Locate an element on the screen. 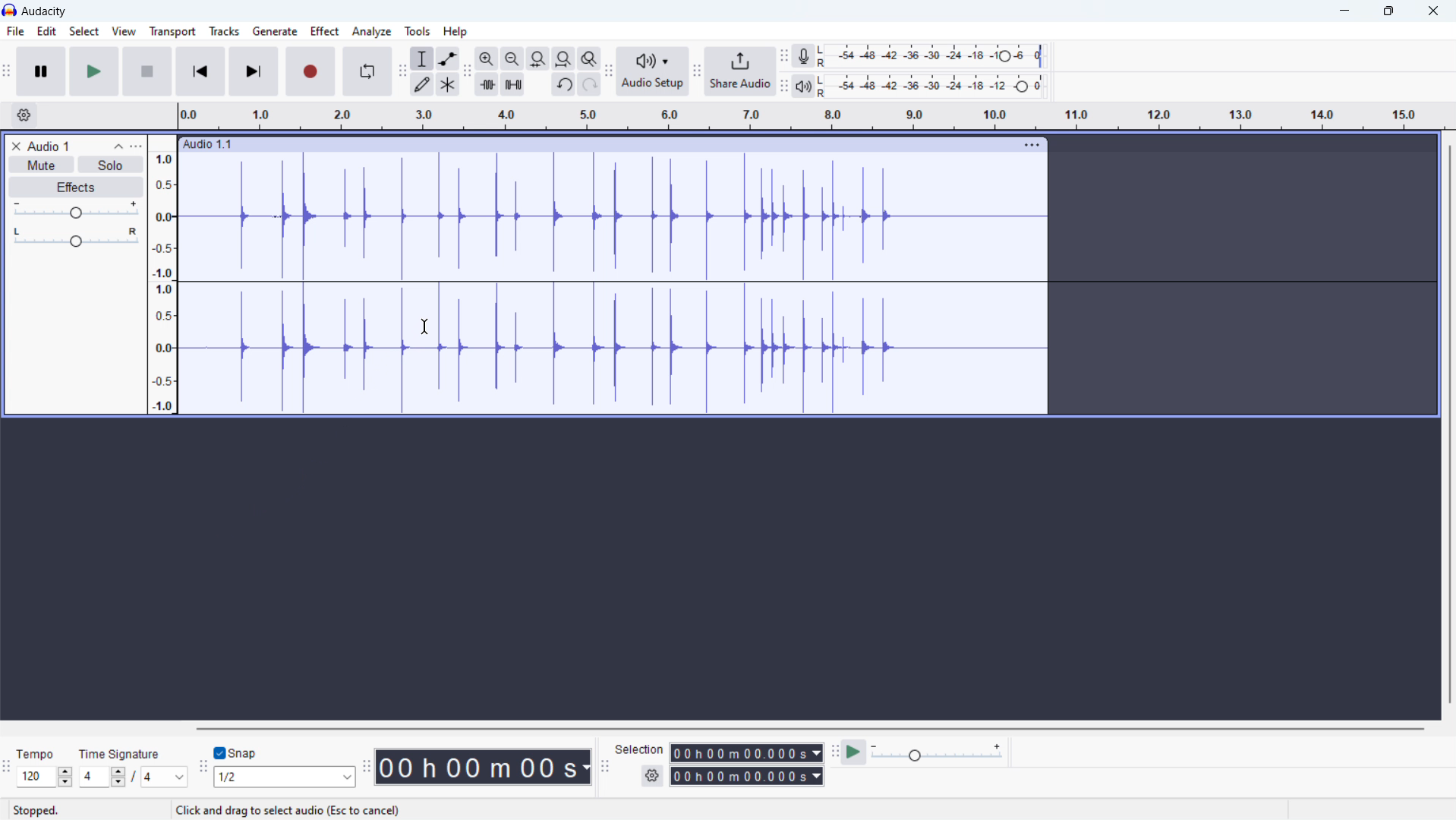 The image size is (1456, 820). transport is located at coordinates (172, 31).